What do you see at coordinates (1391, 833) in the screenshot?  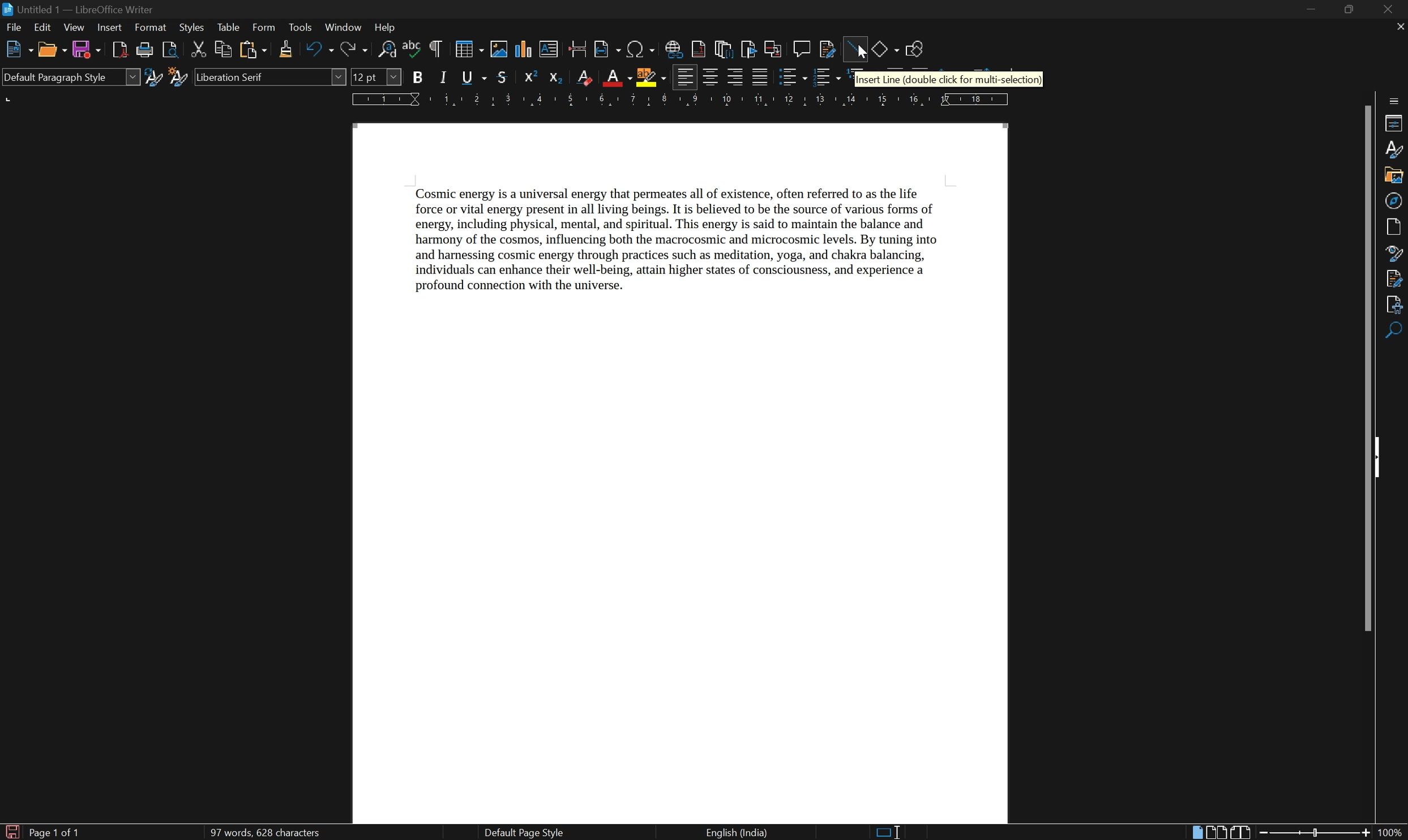 I see `100%` at bounding box center [1391, 833].